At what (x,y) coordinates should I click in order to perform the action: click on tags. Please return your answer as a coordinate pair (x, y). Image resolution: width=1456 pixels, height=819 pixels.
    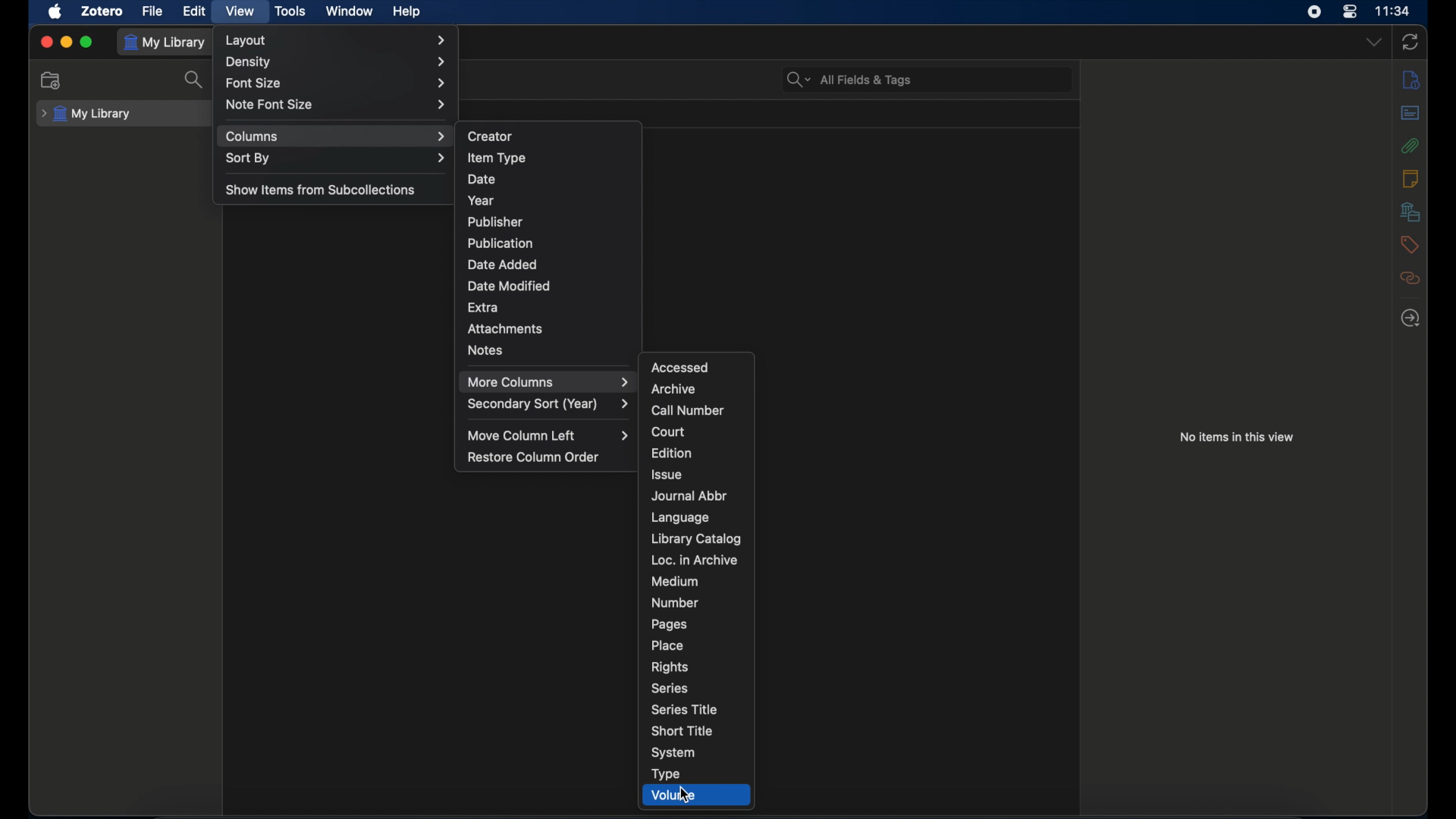
    Looking at the image, I should click on (1410, 245).